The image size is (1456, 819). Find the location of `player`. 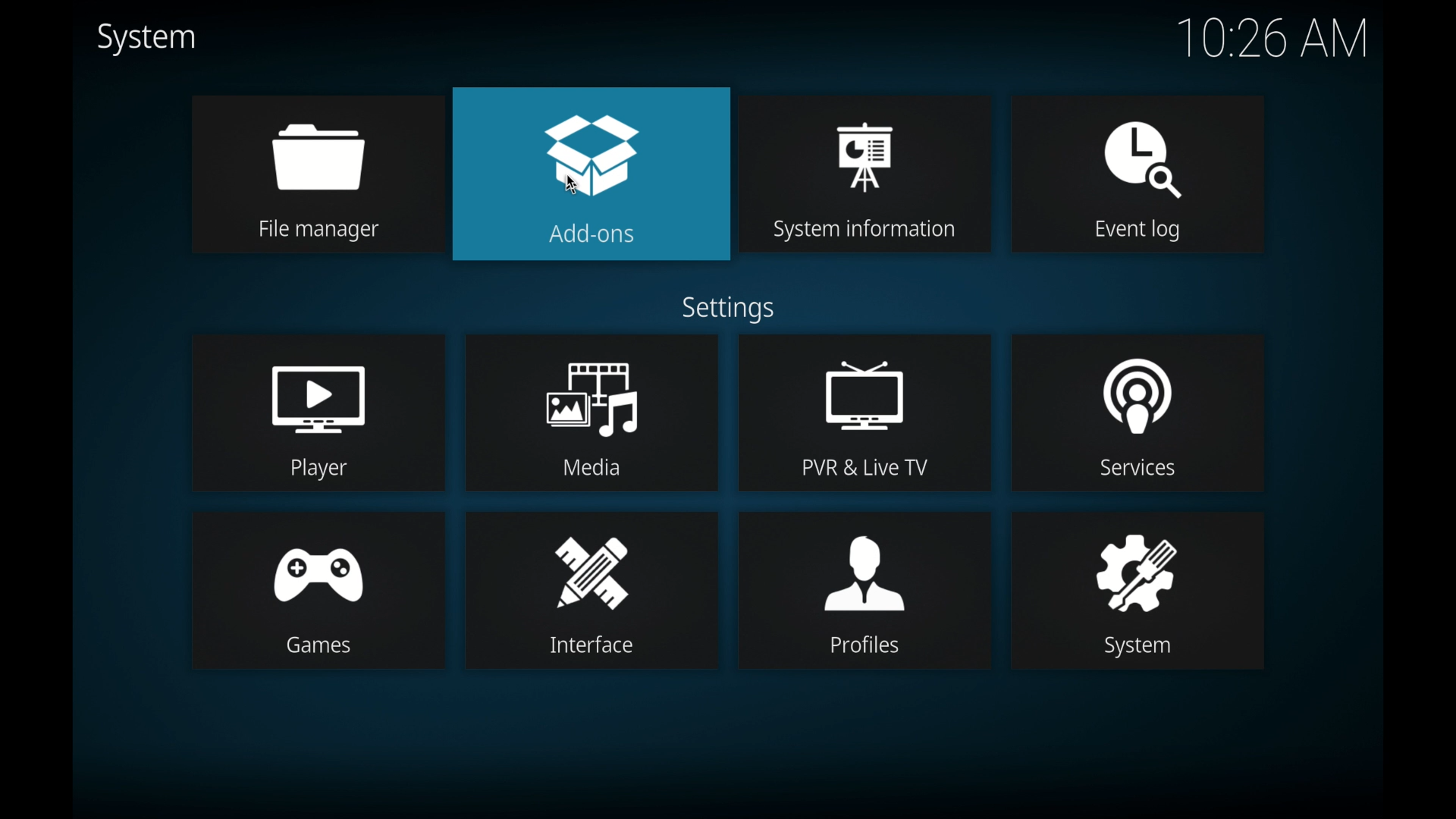

player is located at coordinates (318, 412).